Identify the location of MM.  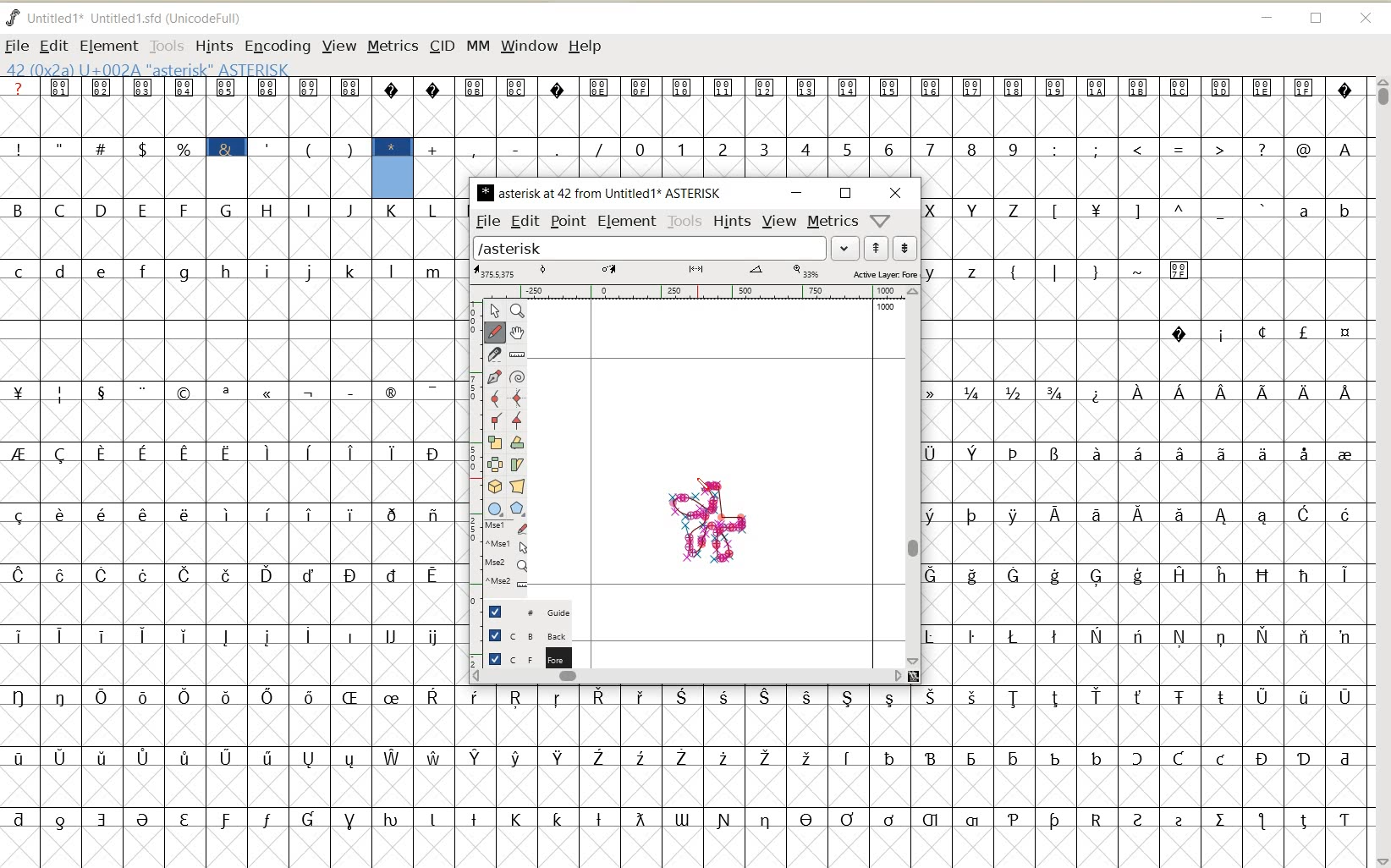
(477, 47).